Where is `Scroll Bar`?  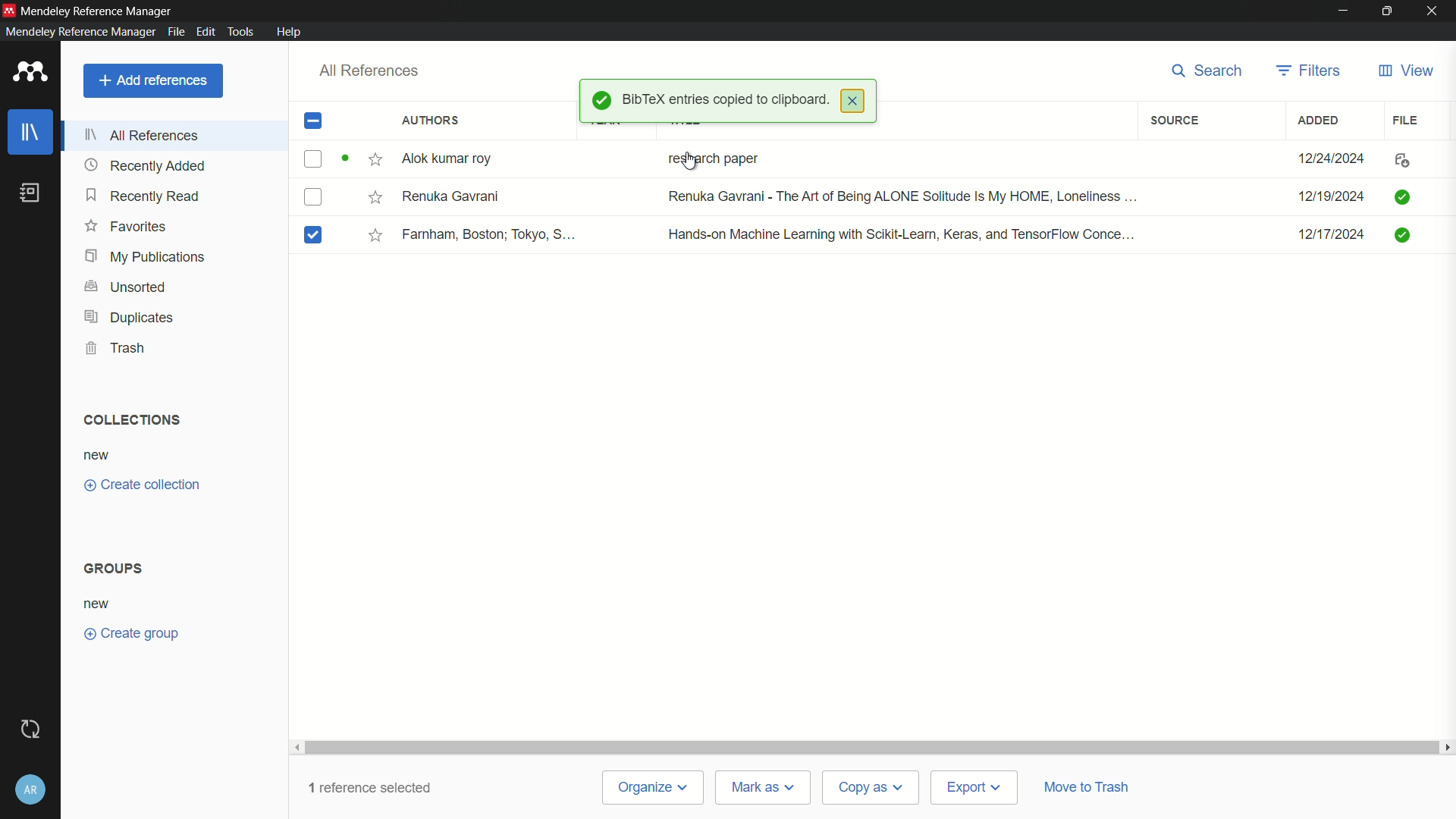 Scroll Bar is located at coordinates (868, 748).